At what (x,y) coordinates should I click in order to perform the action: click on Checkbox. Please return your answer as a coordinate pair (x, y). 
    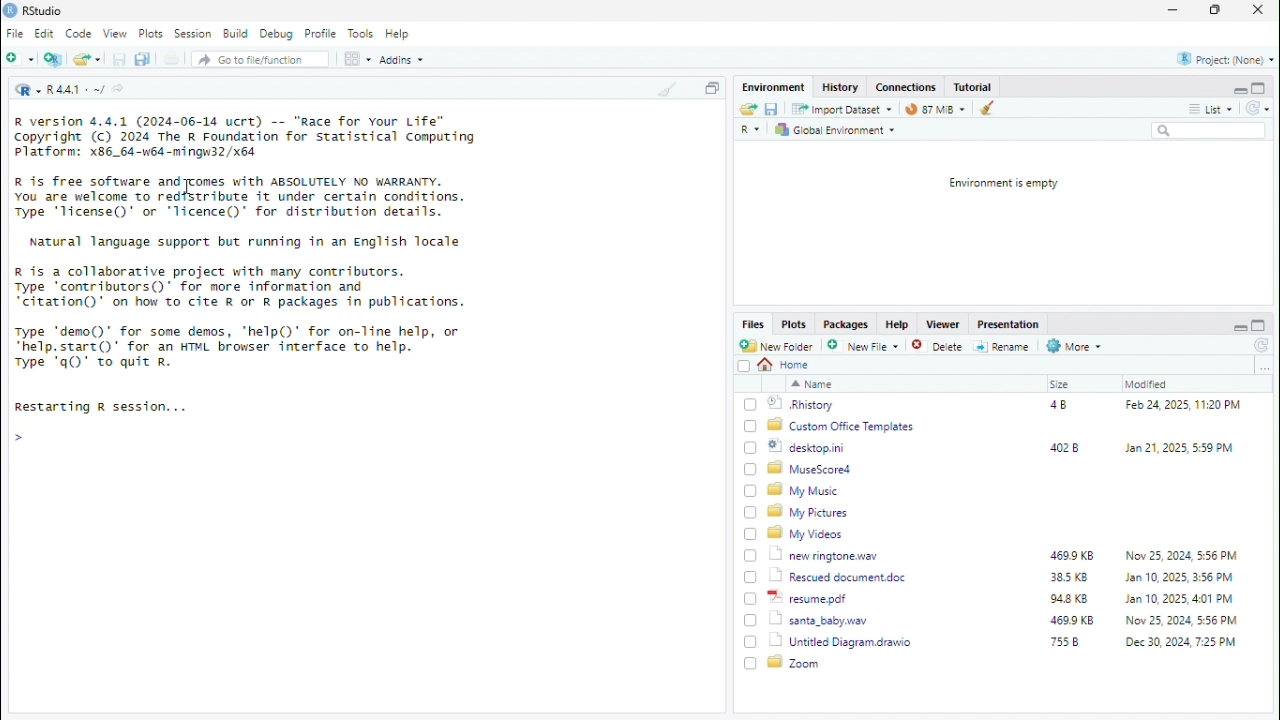
    Looking at the image, I should click on (751, 556).